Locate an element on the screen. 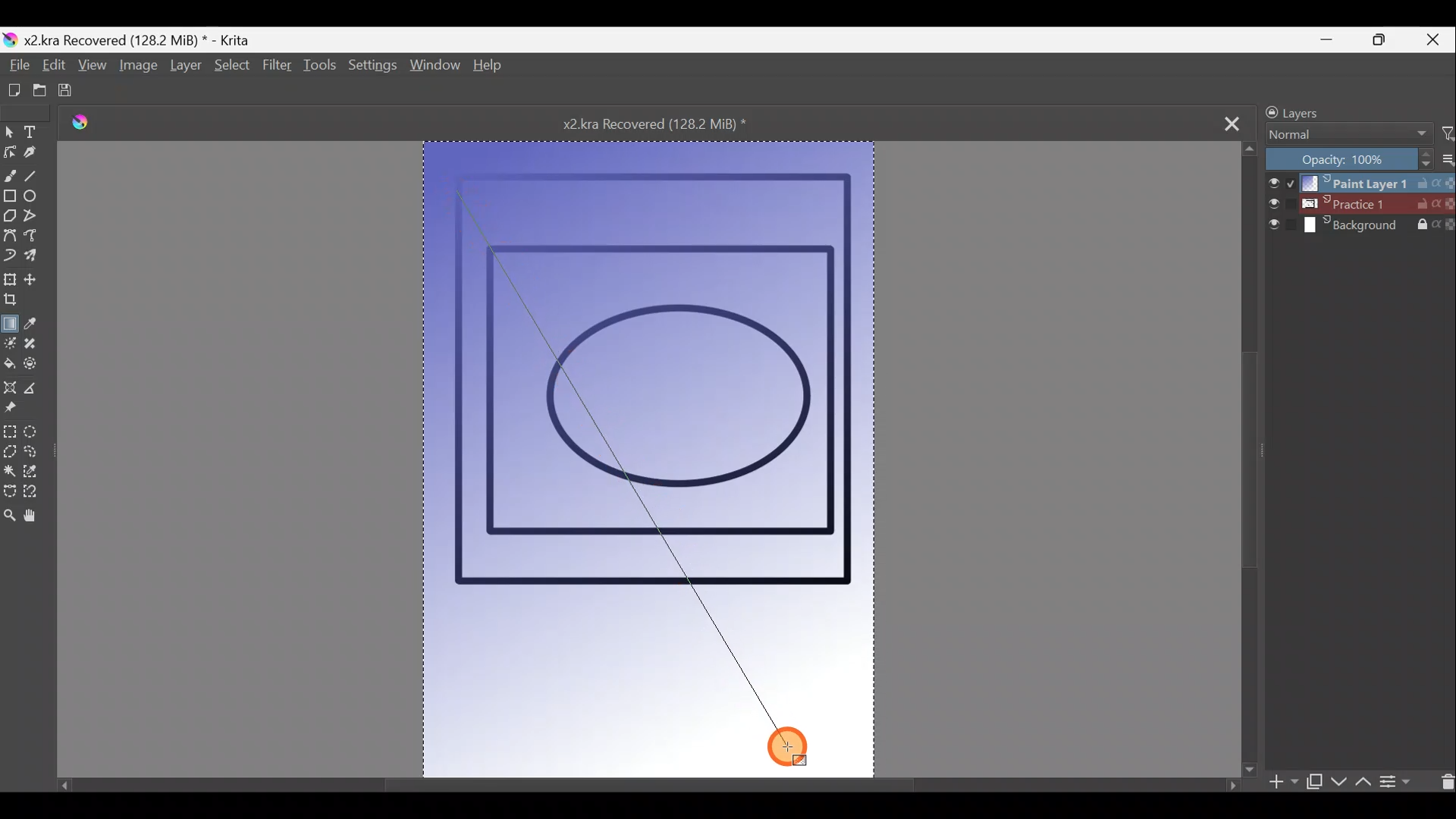 The height and width of the screenshot is (819, 1456). Help is located at coordinates (488, 67).